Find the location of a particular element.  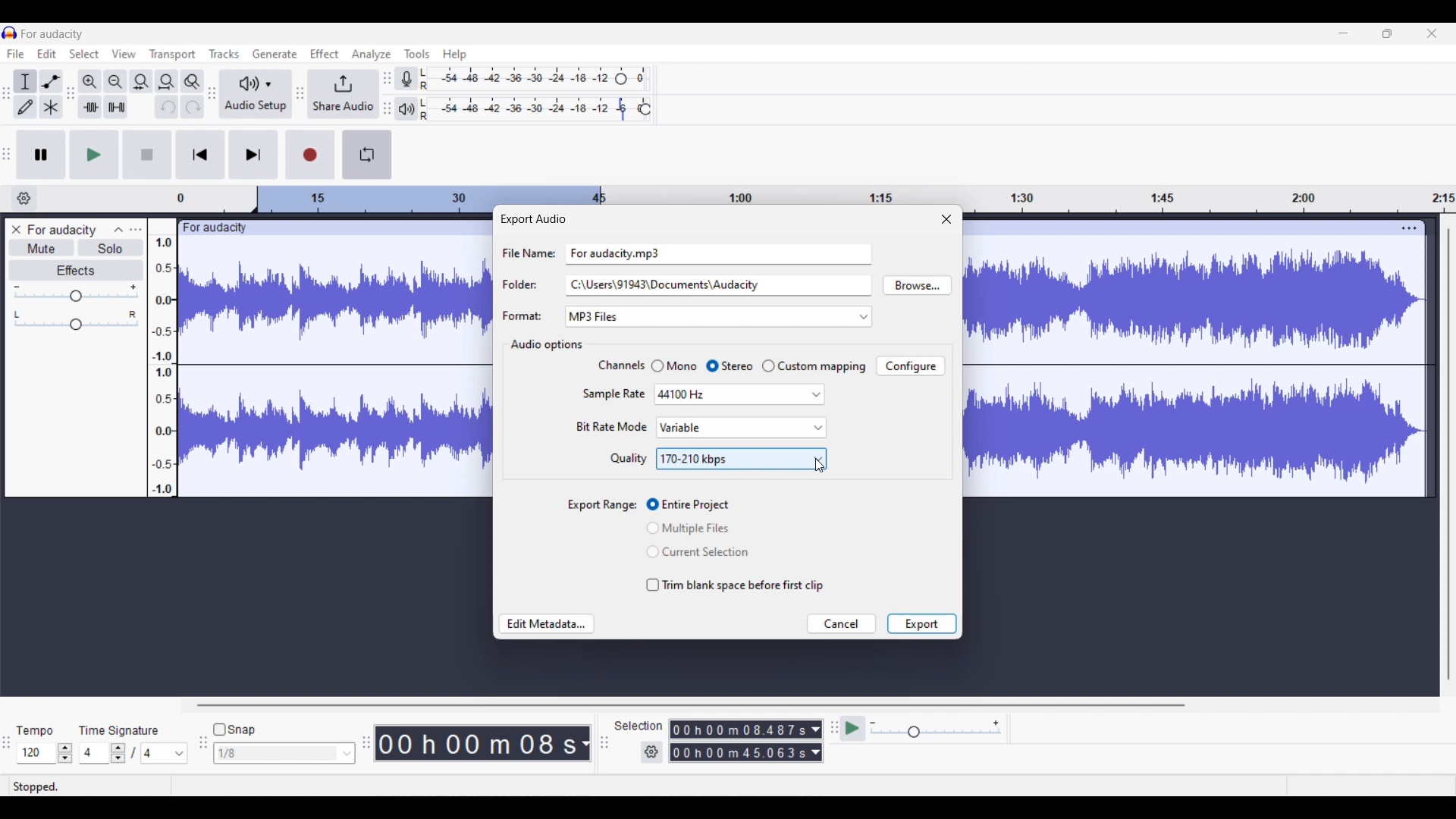

Duration measurement is located at coordinates (816, 730).